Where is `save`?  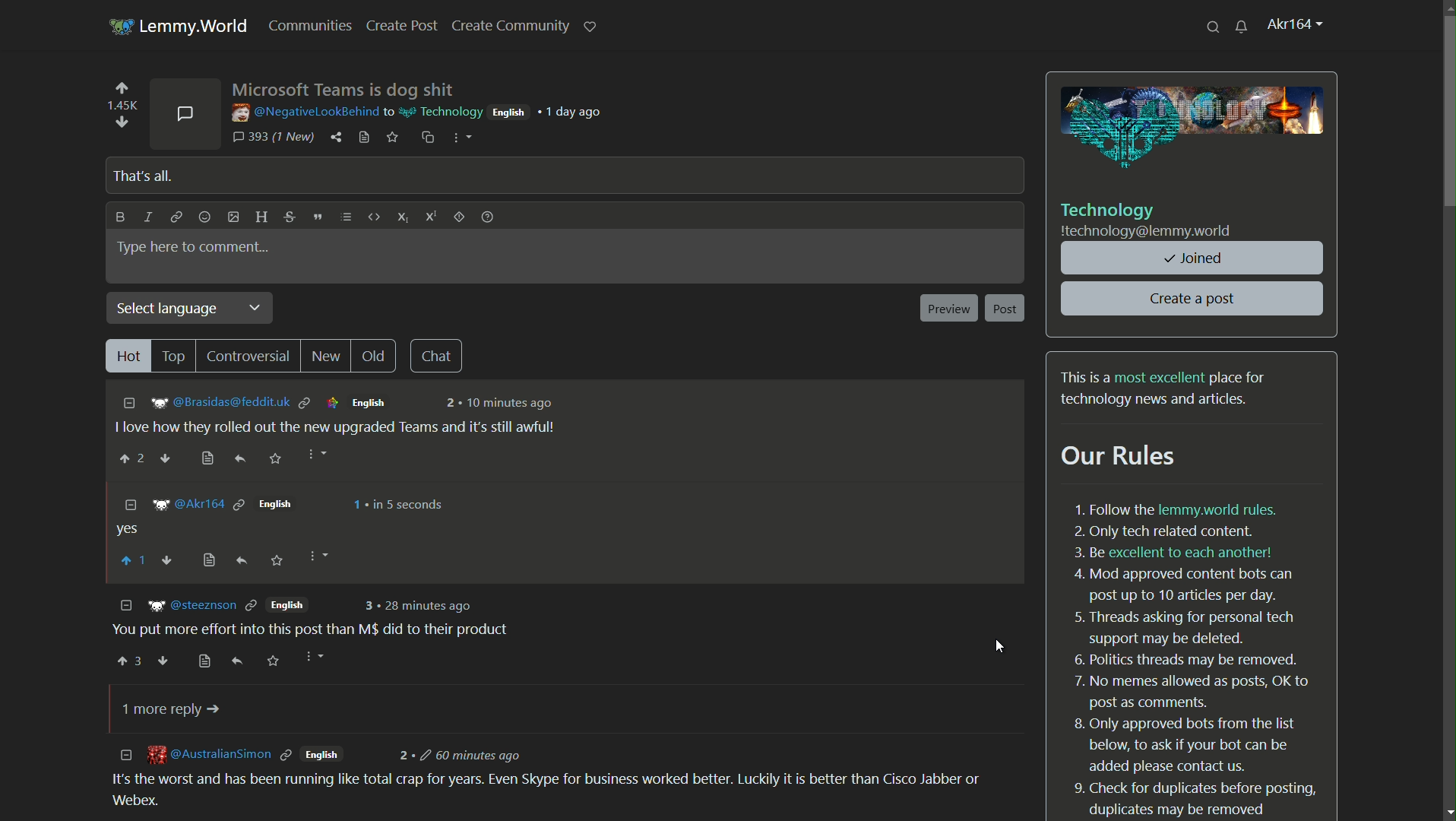 save is located at coordinates (394, 138).